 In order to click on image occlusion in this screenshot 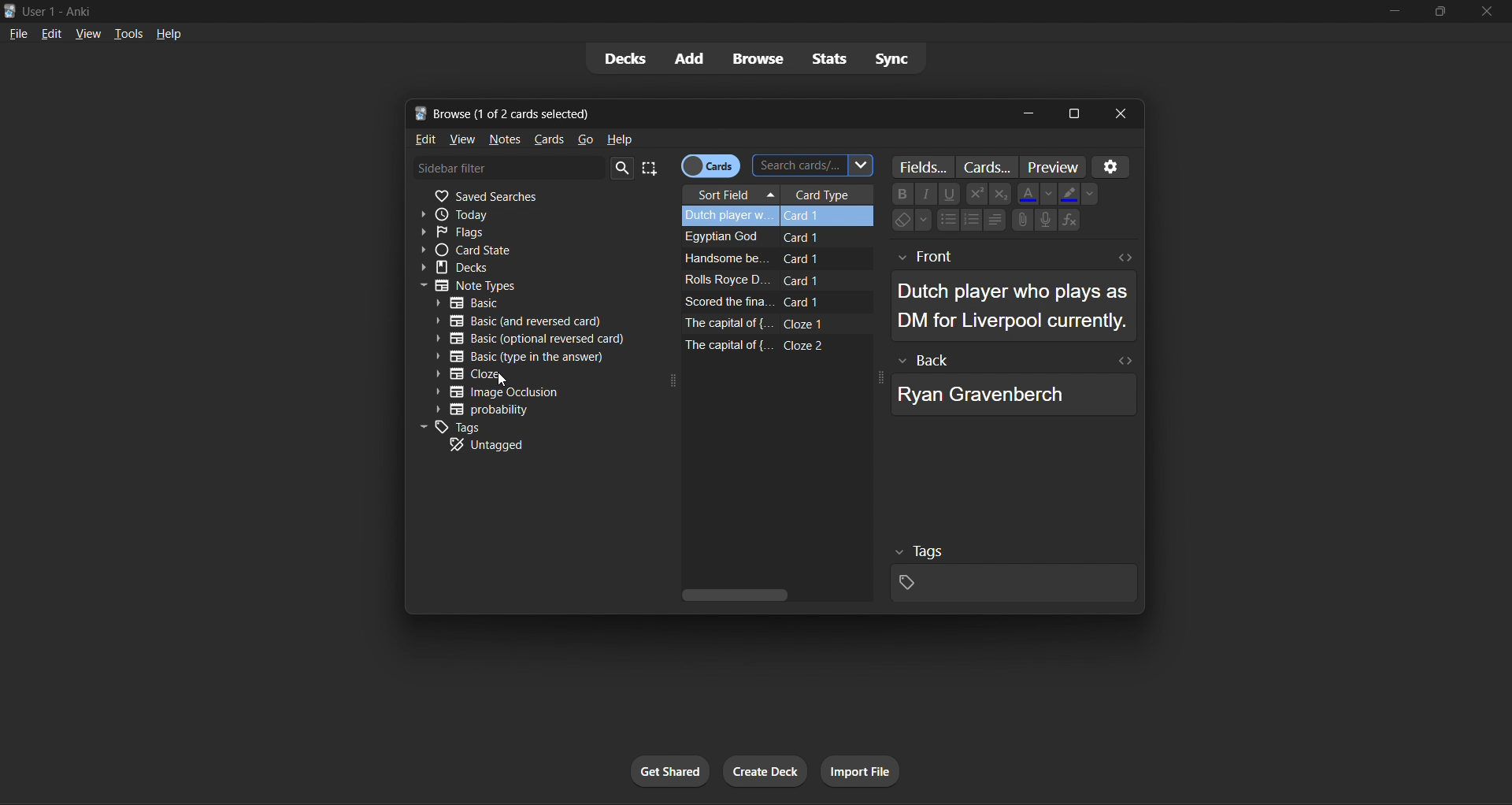, I will do `click(521, 391)`.